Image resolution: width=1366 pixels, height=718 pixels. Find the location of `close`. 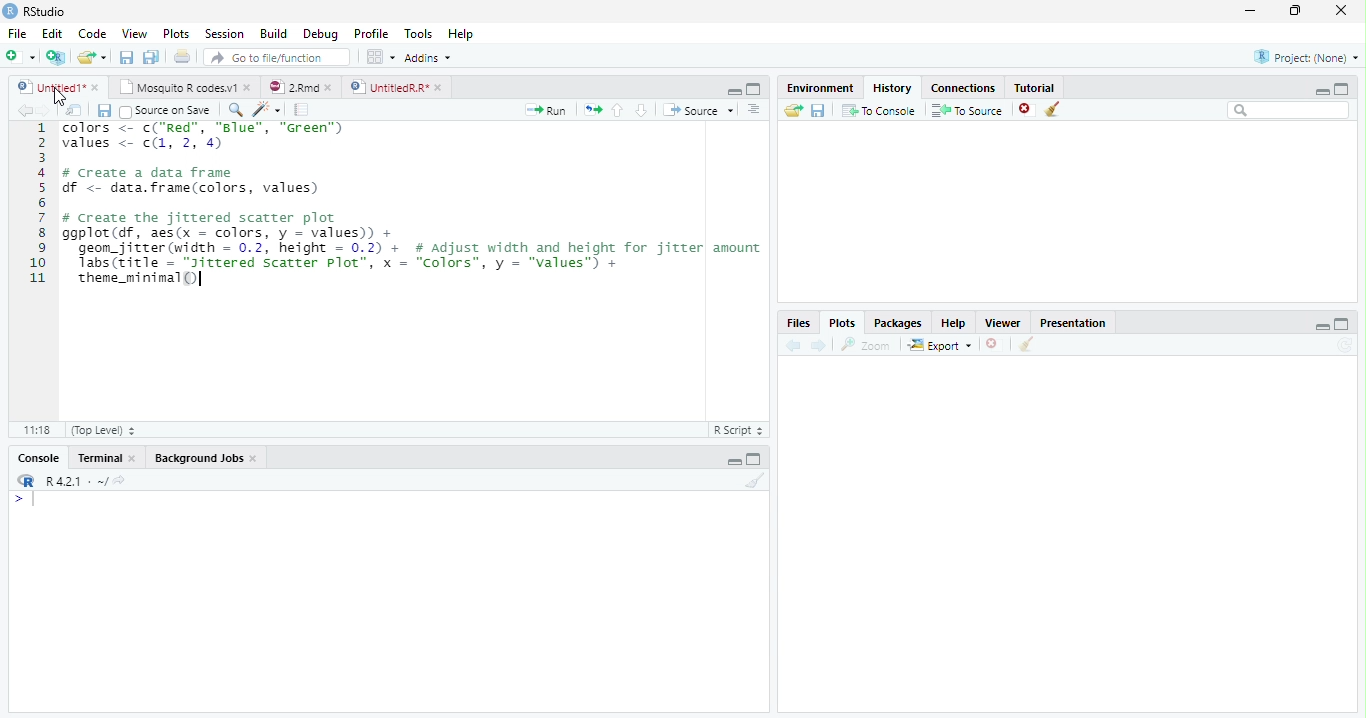

close is located at coordinates (247, 87).